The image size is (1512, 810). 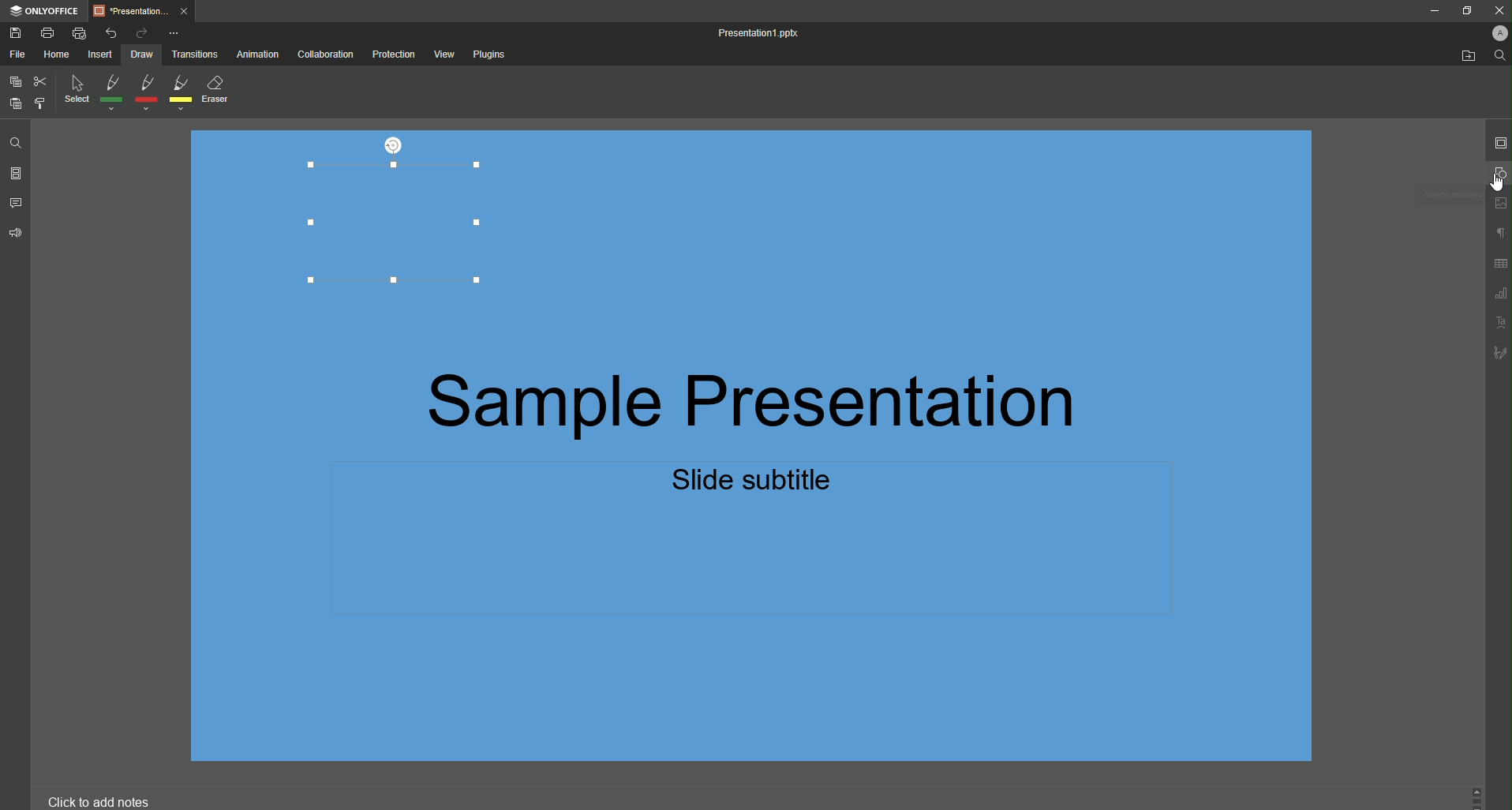 What do you see at coordinates (221, 91) in the screenshot?
I see `Eraser` at bounding box center [221, 91].